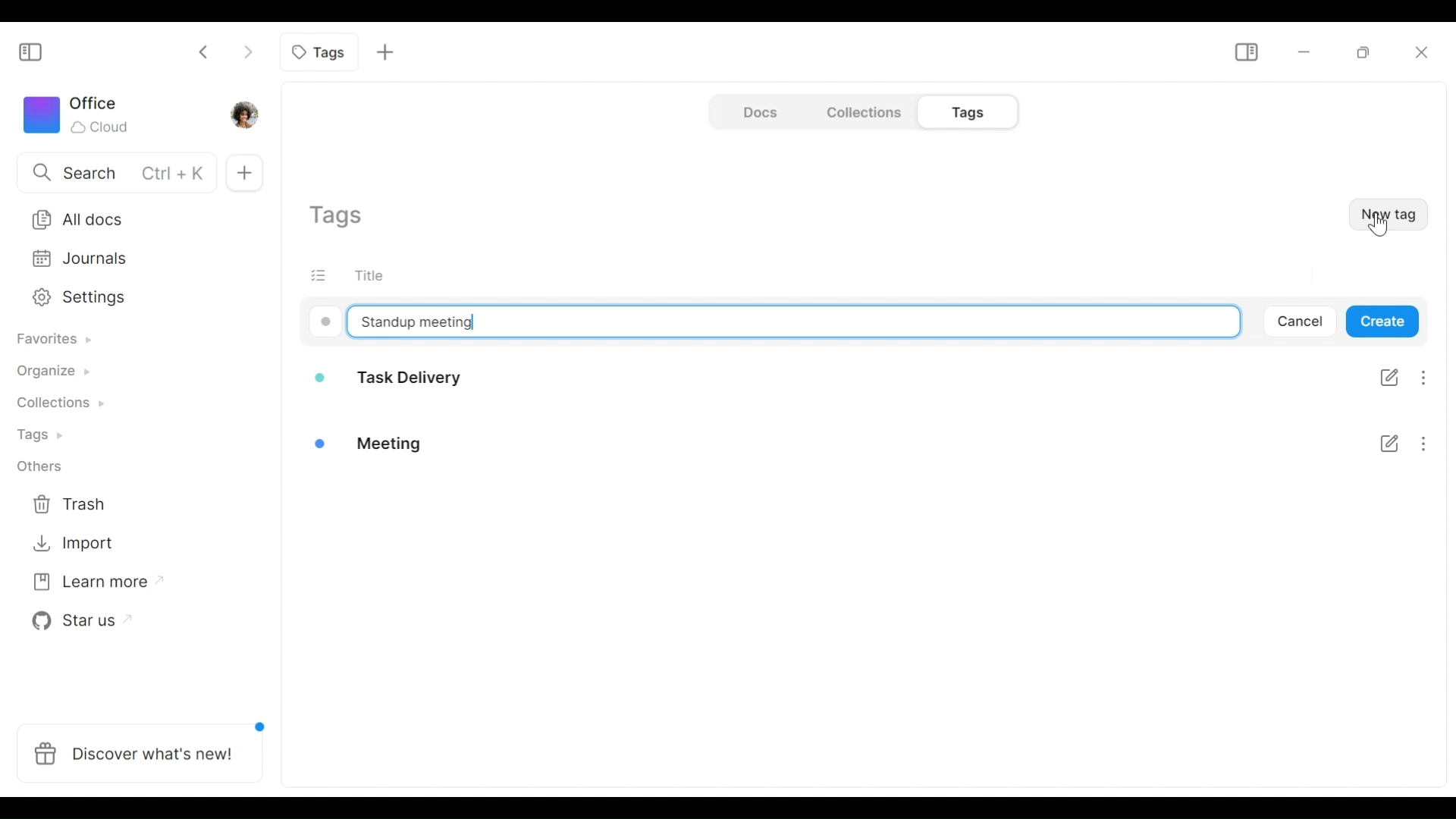  Describe the element at coordinates (1246, 53) in the screenshot. I see `Show/Hide Sidebar` at that location.